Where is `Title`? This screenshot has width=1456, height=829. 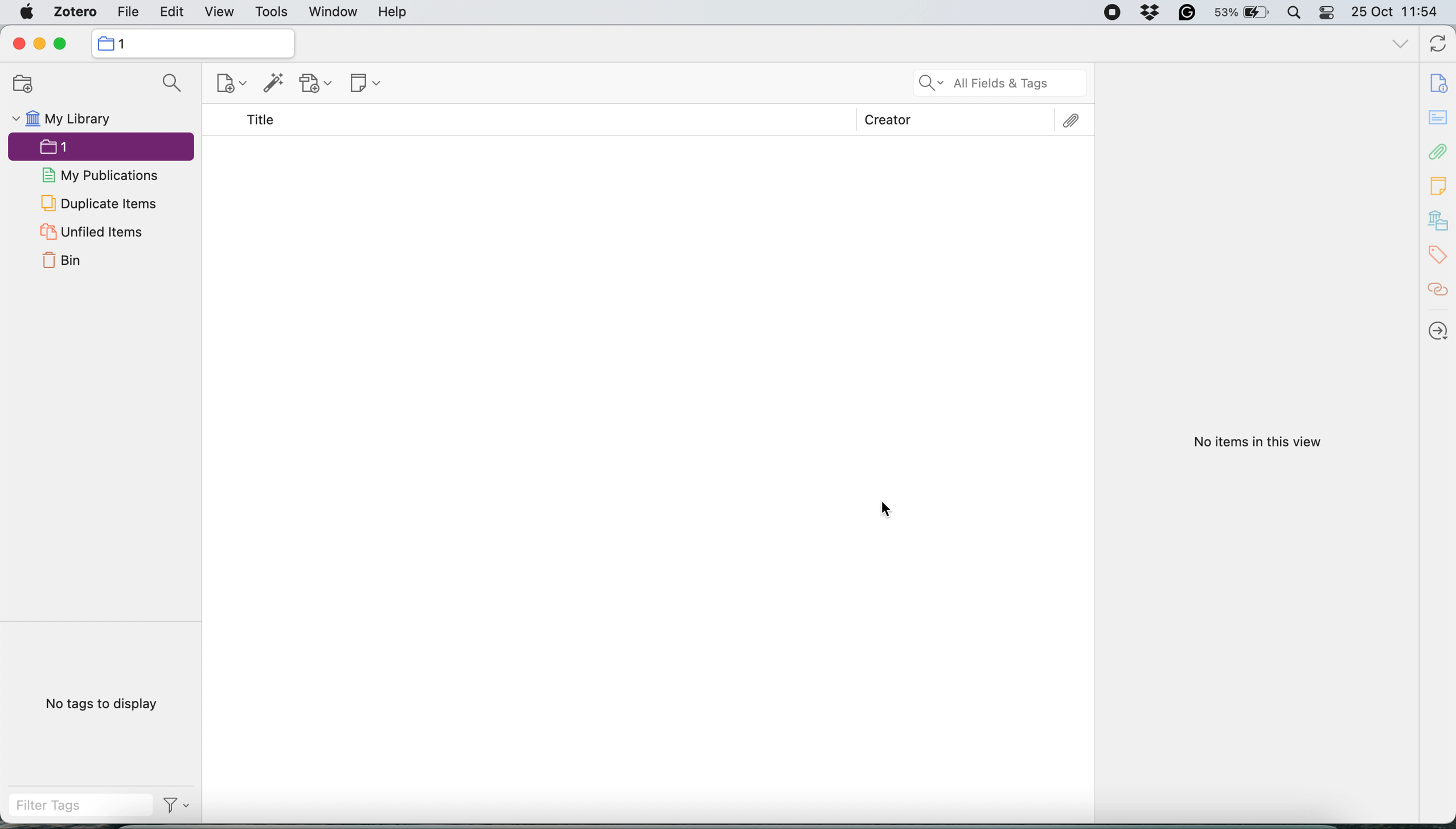
Title is located at coordinates (266, 121).